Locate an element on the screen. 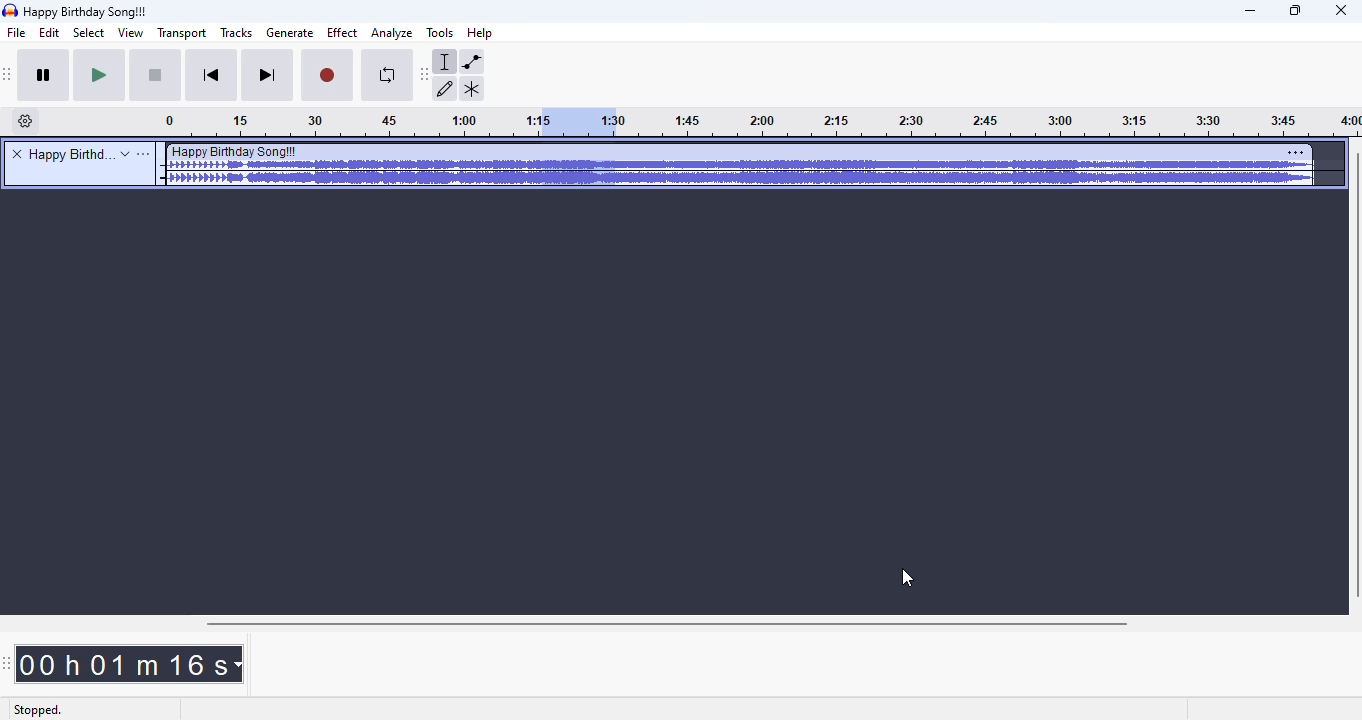 The image size is (1362, 720). maximize is located at coordinates (1296, 11).